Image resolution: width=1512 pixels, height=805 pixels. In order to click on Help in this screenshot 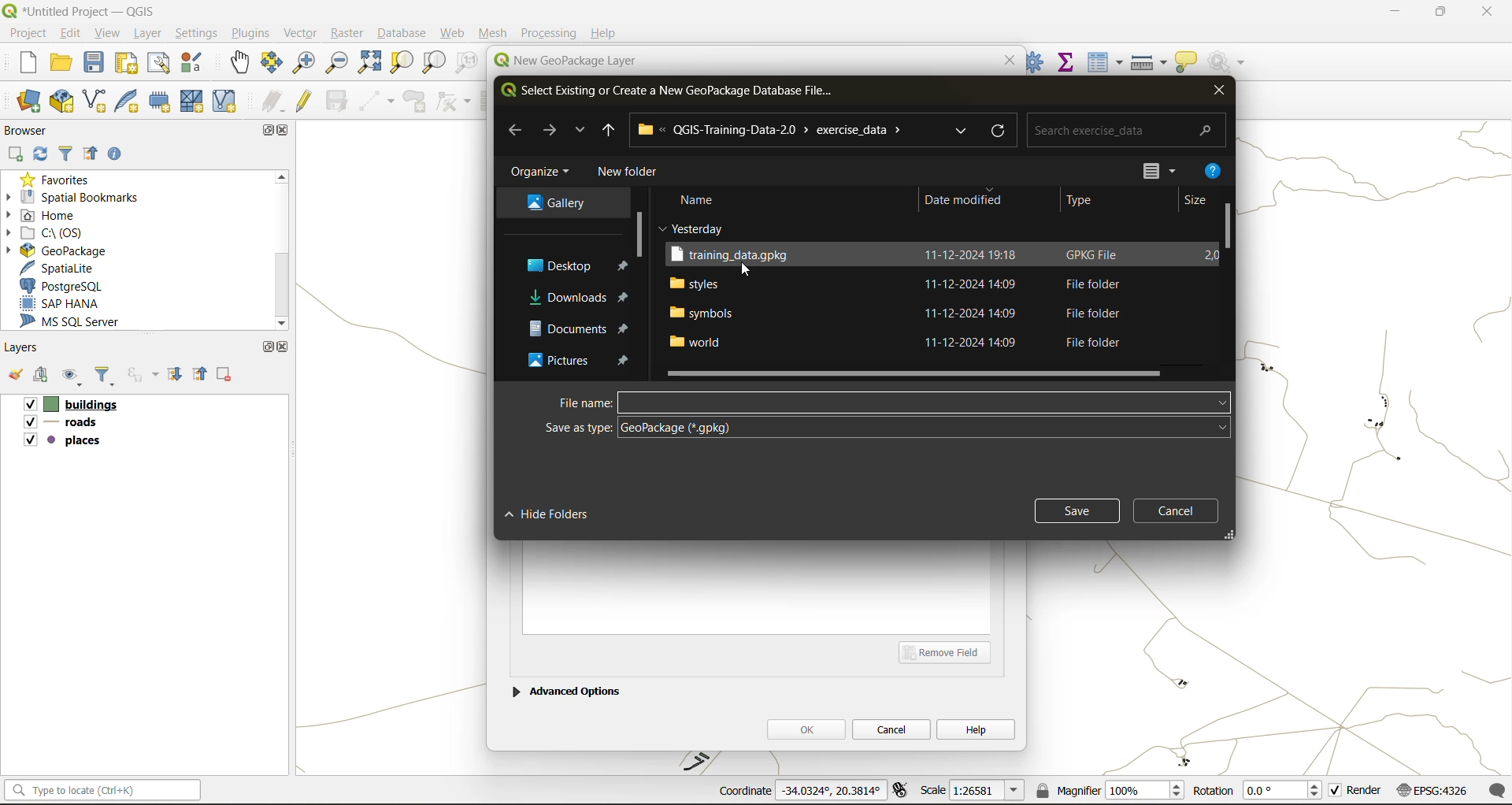, I will do `click(604, 33)`.